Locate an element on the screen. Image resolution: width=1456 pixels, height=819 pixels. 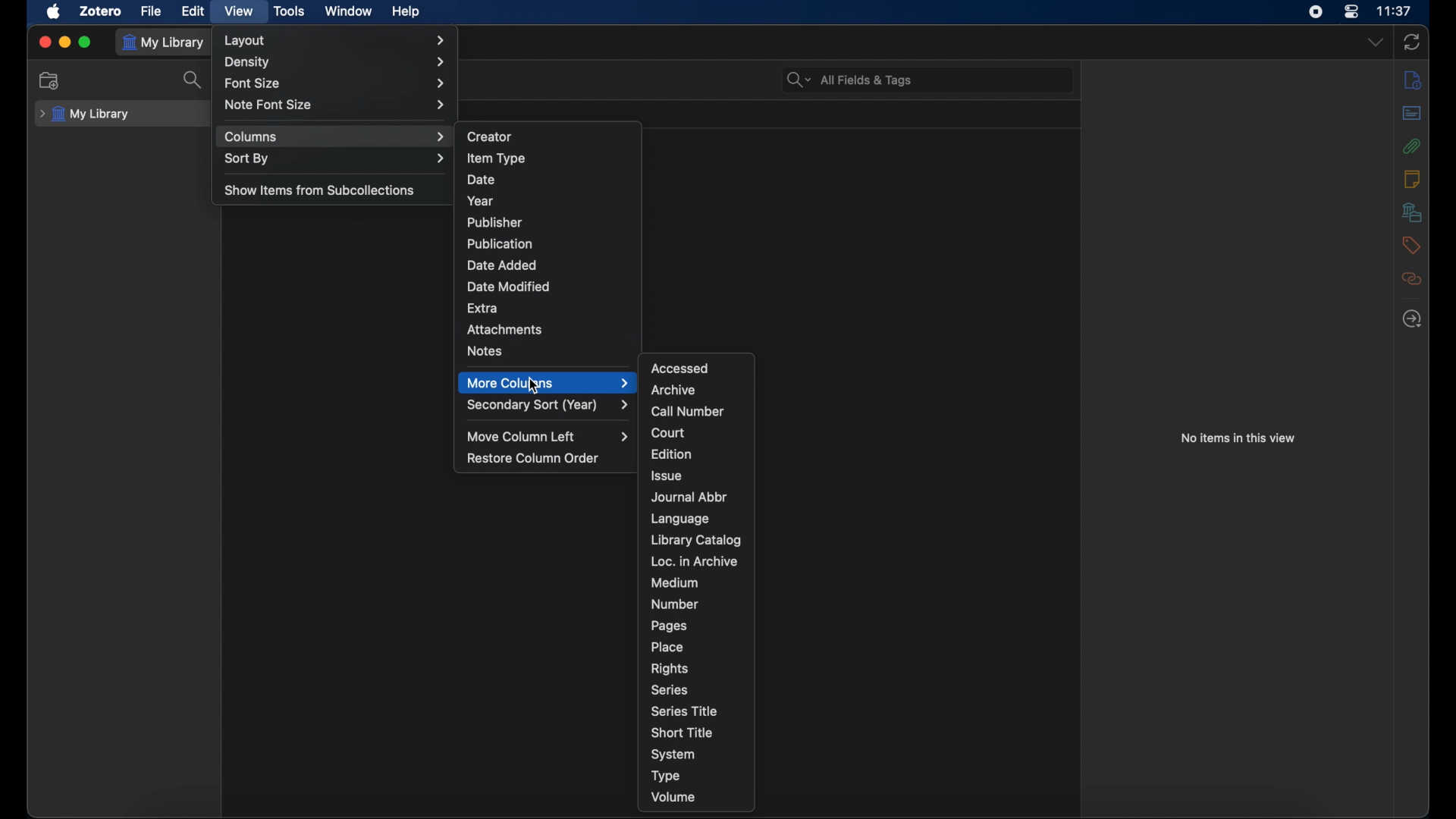
publication is located at coordinates (499, 243).